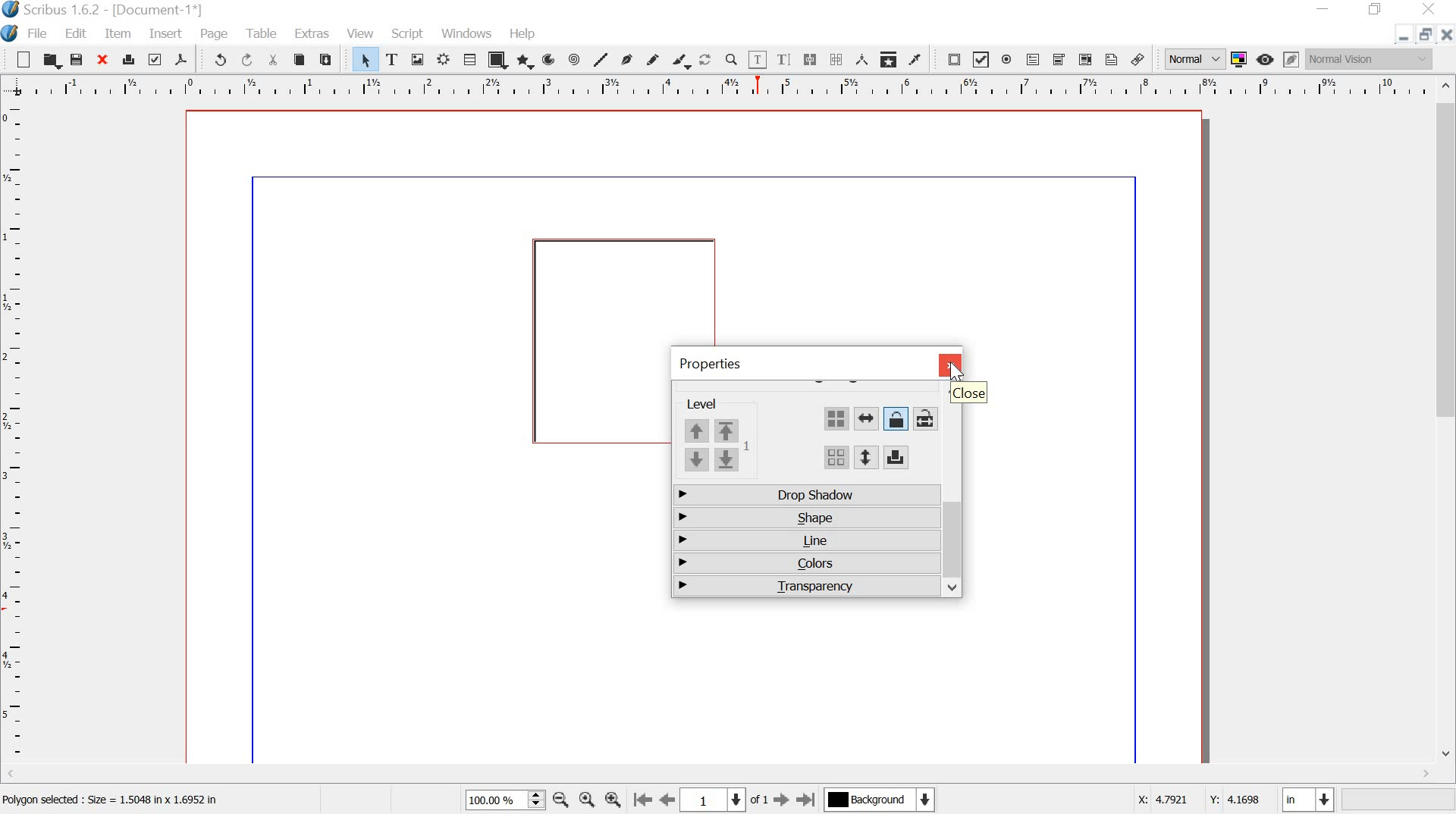 The height and width of the screenshot is (814, 1456). What do you see at coordinates (917, 61) in the screenshot?
I see `eye dropper` at bounding box center [917, 61].